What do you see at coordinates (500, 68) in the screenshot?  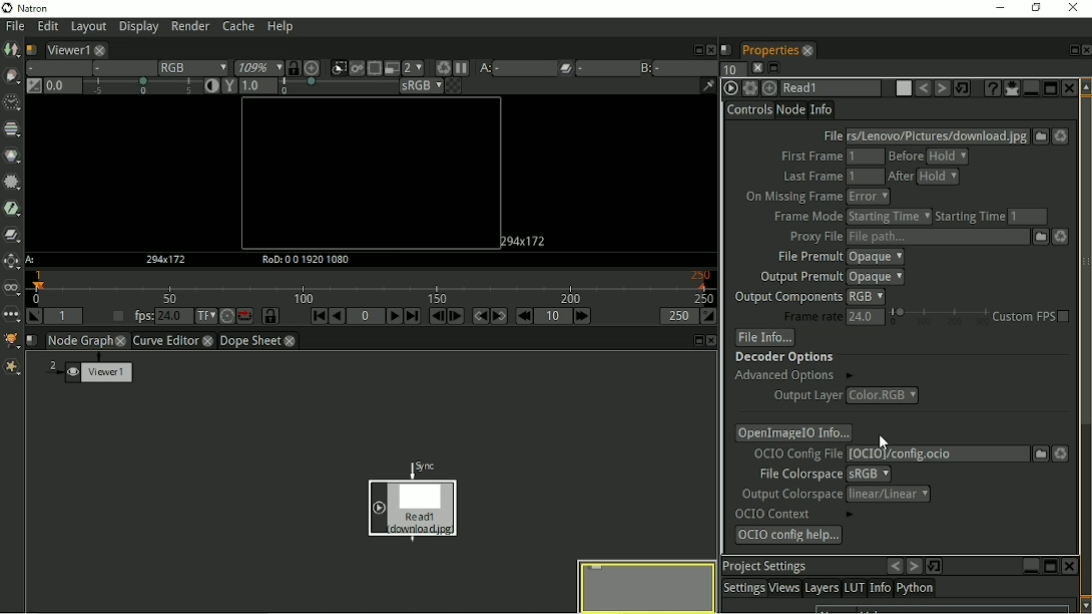 I see `Viewer input A` at bounding box center [500, 68].